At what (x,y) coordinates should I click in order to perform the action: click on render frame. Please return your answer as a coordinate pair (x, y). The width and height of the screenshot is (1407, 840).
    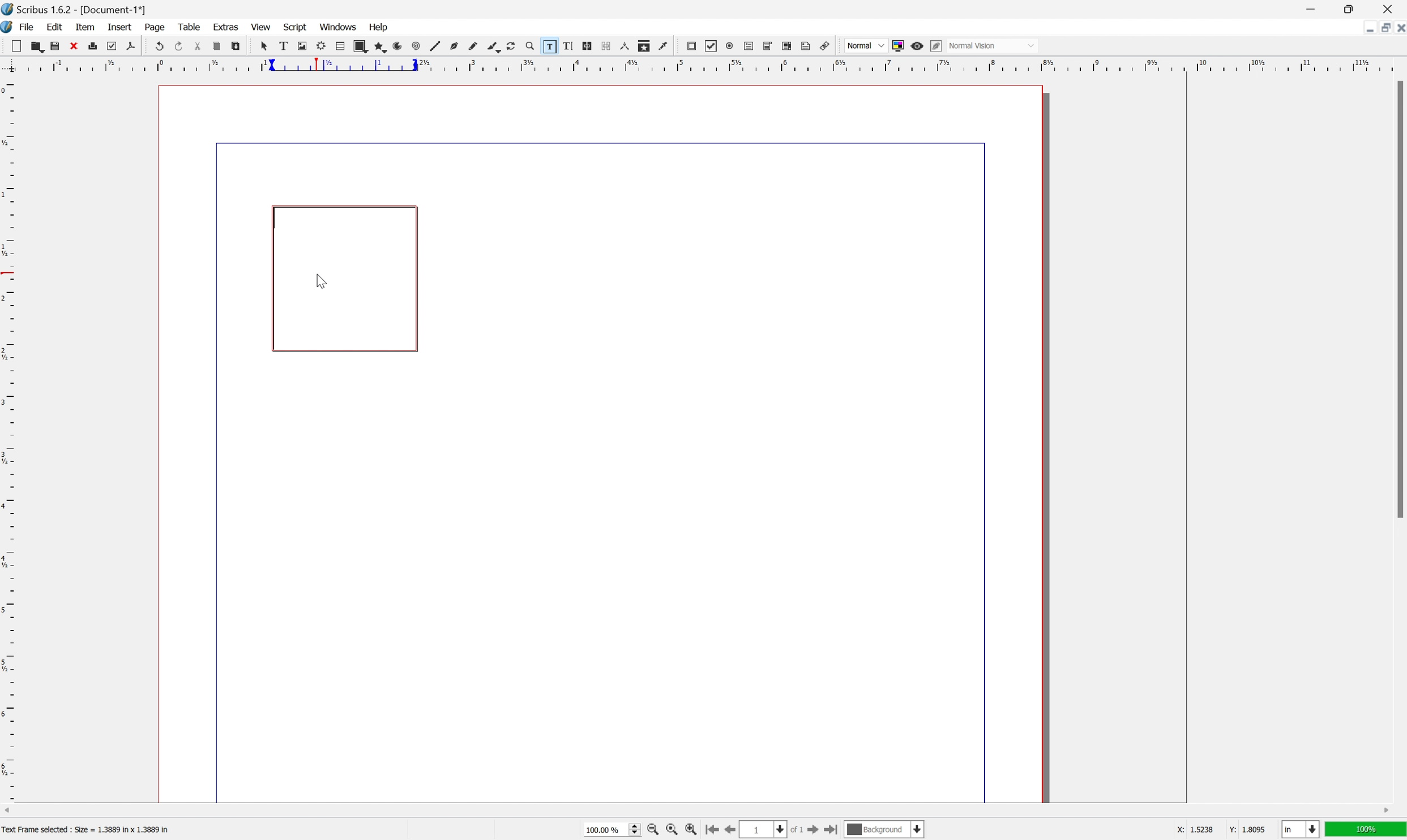
    Looking at the image, I should click on (320, 45).